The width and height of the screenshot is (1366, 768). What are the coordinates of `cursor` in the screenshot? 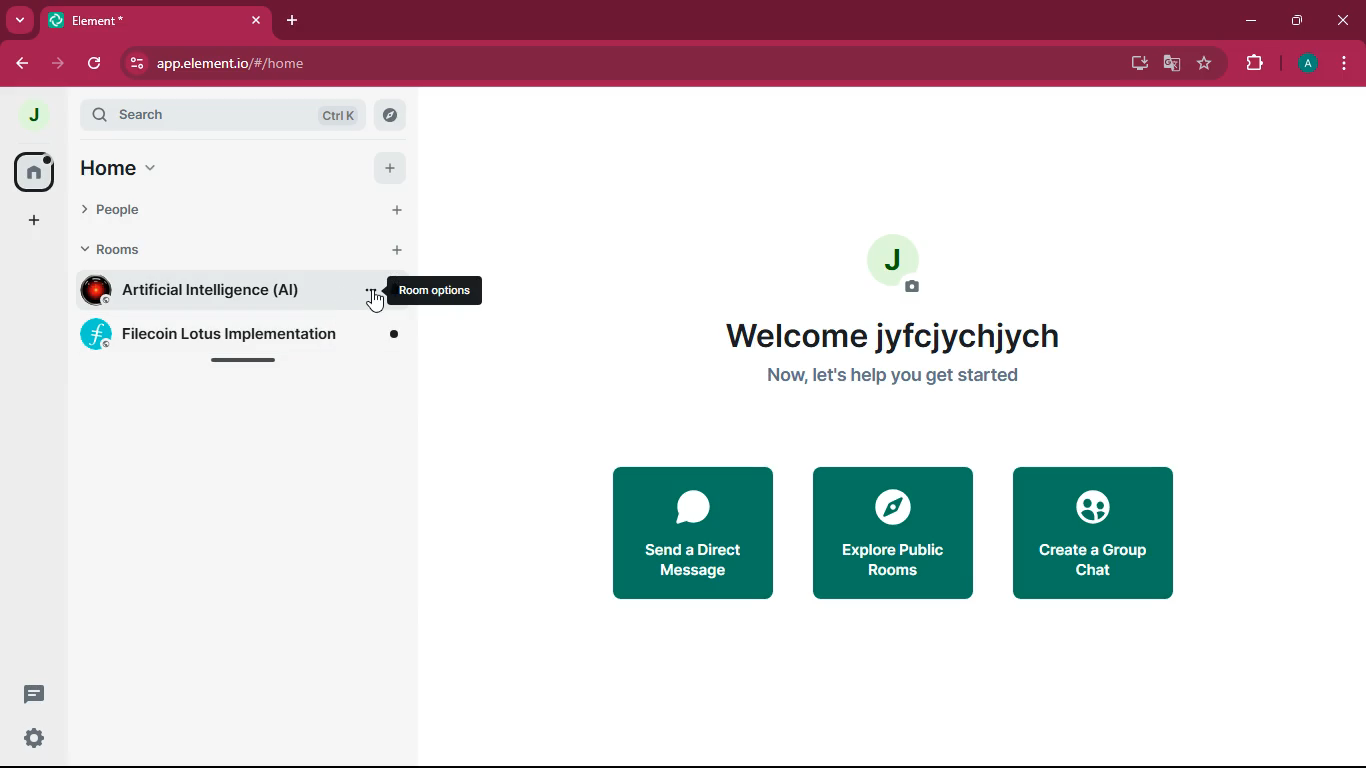 It's located at (375, 301).